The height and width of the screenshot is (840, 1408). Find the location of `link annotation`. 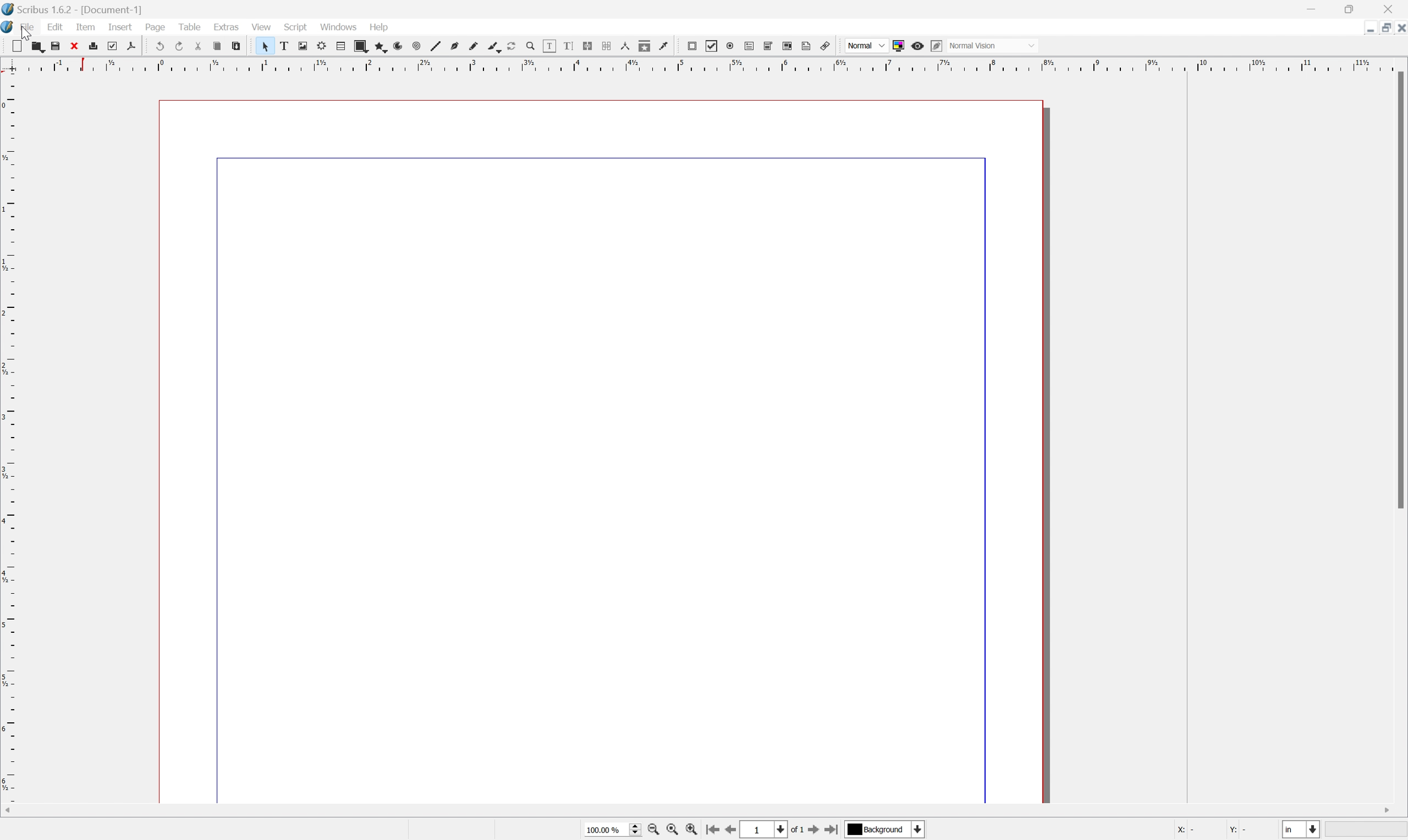

link annotation is located at coordinates (828, 45).